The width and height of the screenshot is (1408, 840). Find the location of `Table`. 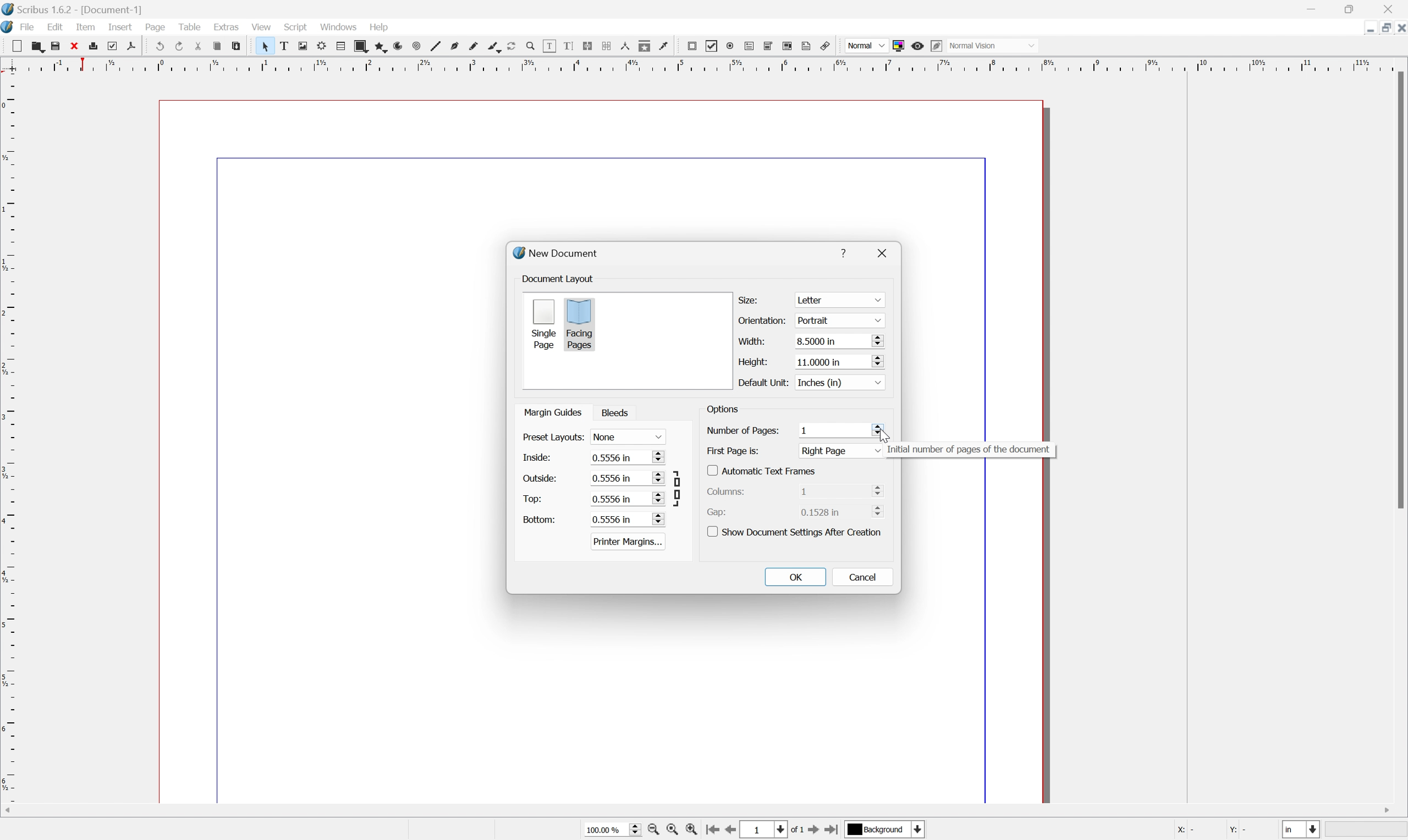

Table is located at coordinates (194, 29).